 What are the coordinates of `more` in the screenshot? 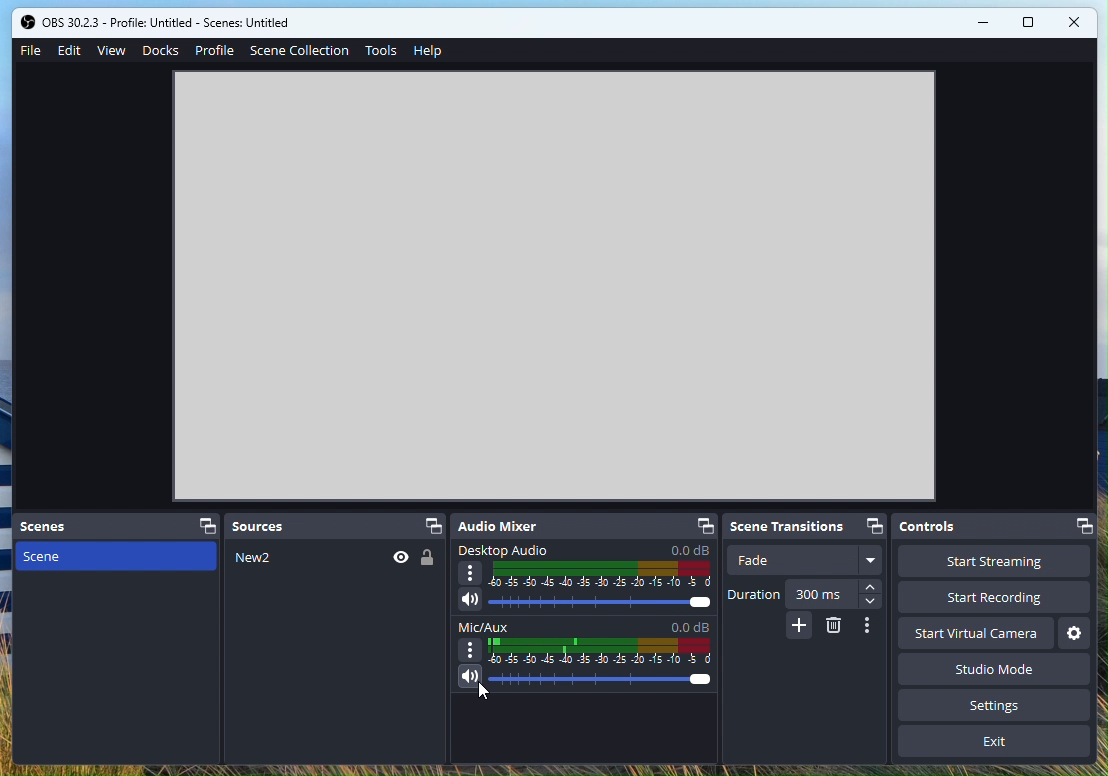 It's located at (874, 629).